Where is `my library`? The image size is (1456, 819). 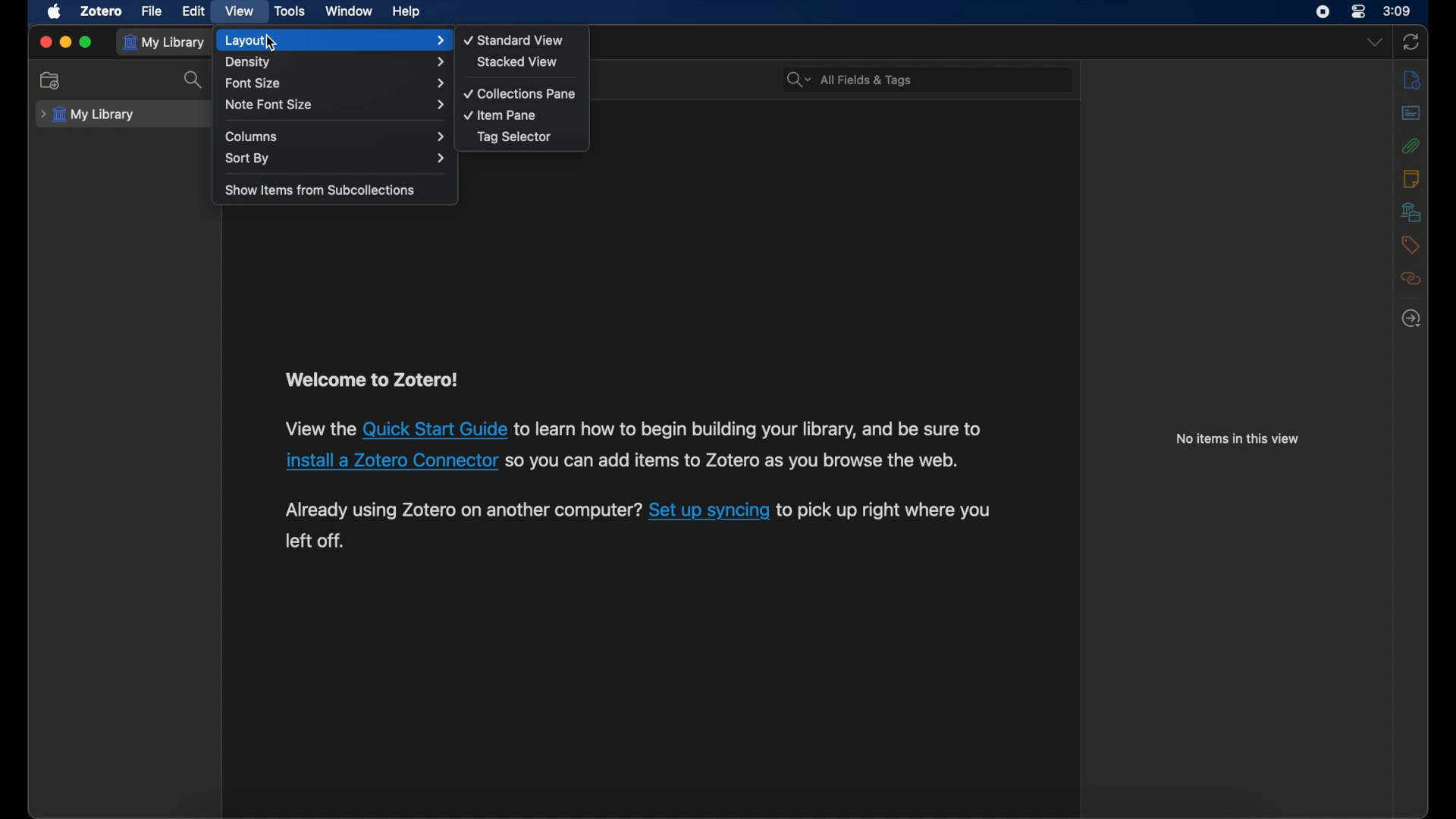 my library is located at coordinates (88, 115).